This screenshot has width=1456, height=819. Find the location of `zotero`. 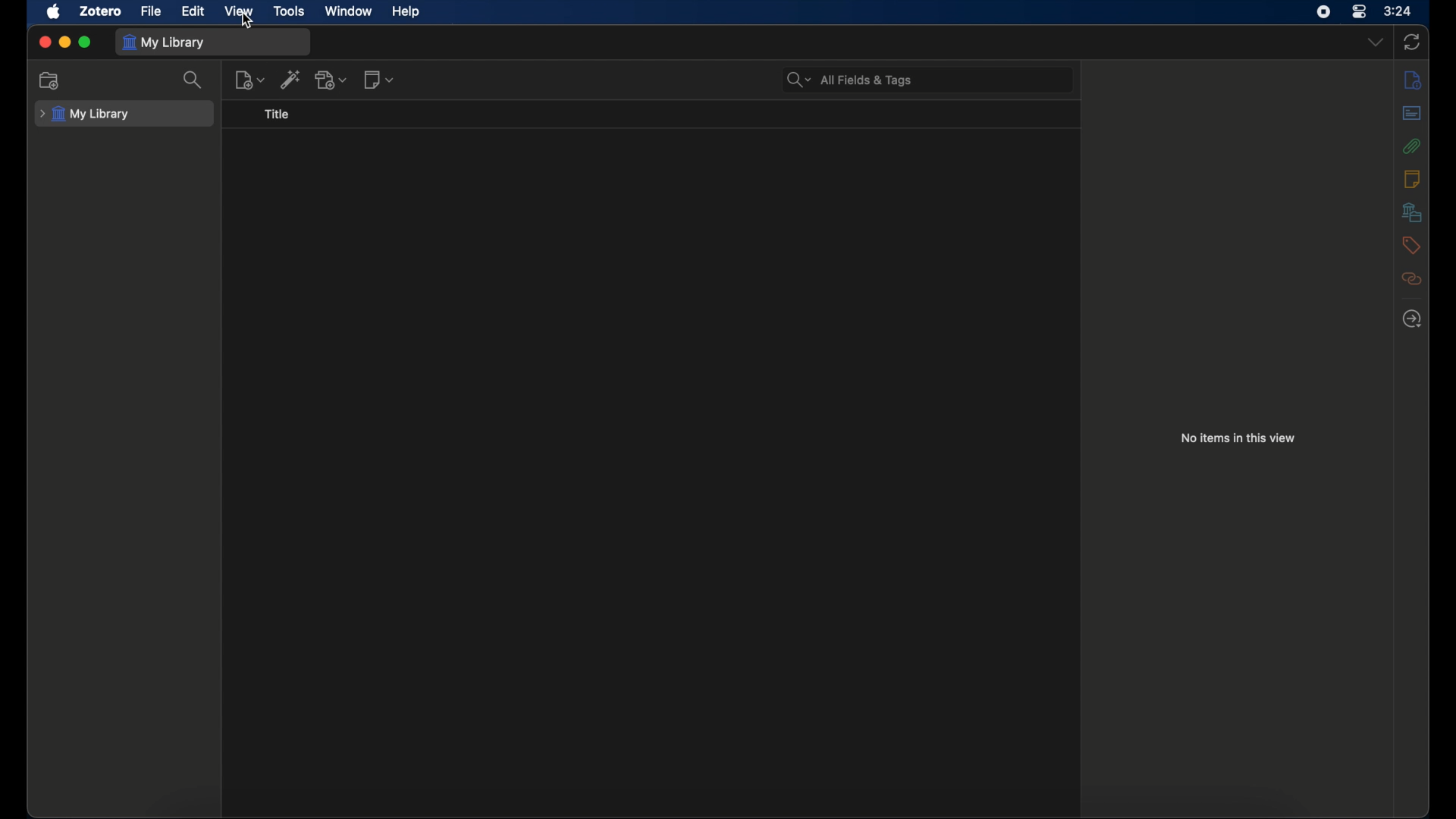

zotero is located at coordinates (102, 11).